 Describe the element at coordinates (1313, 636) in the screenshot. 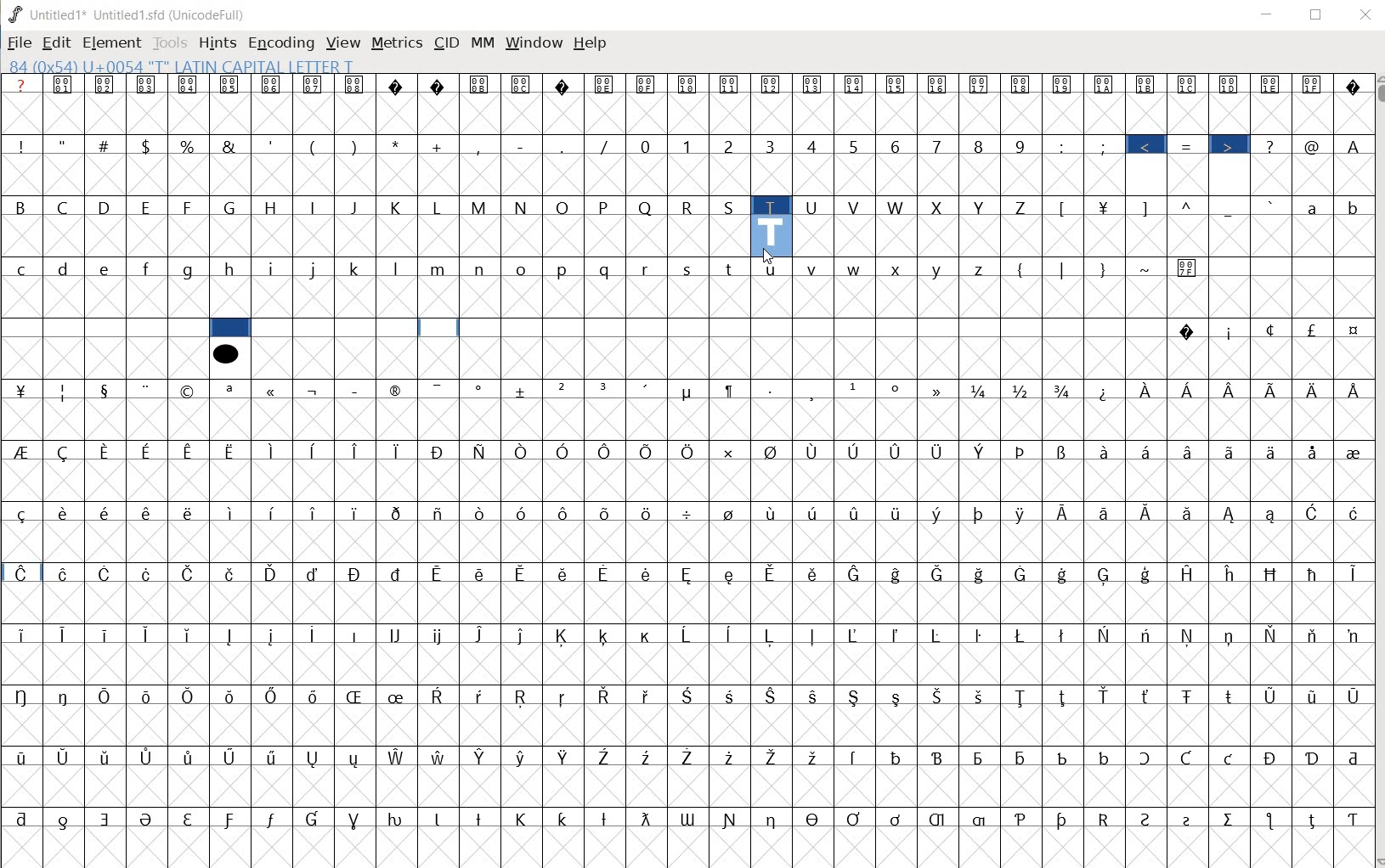

I see `Symbol` at that location.